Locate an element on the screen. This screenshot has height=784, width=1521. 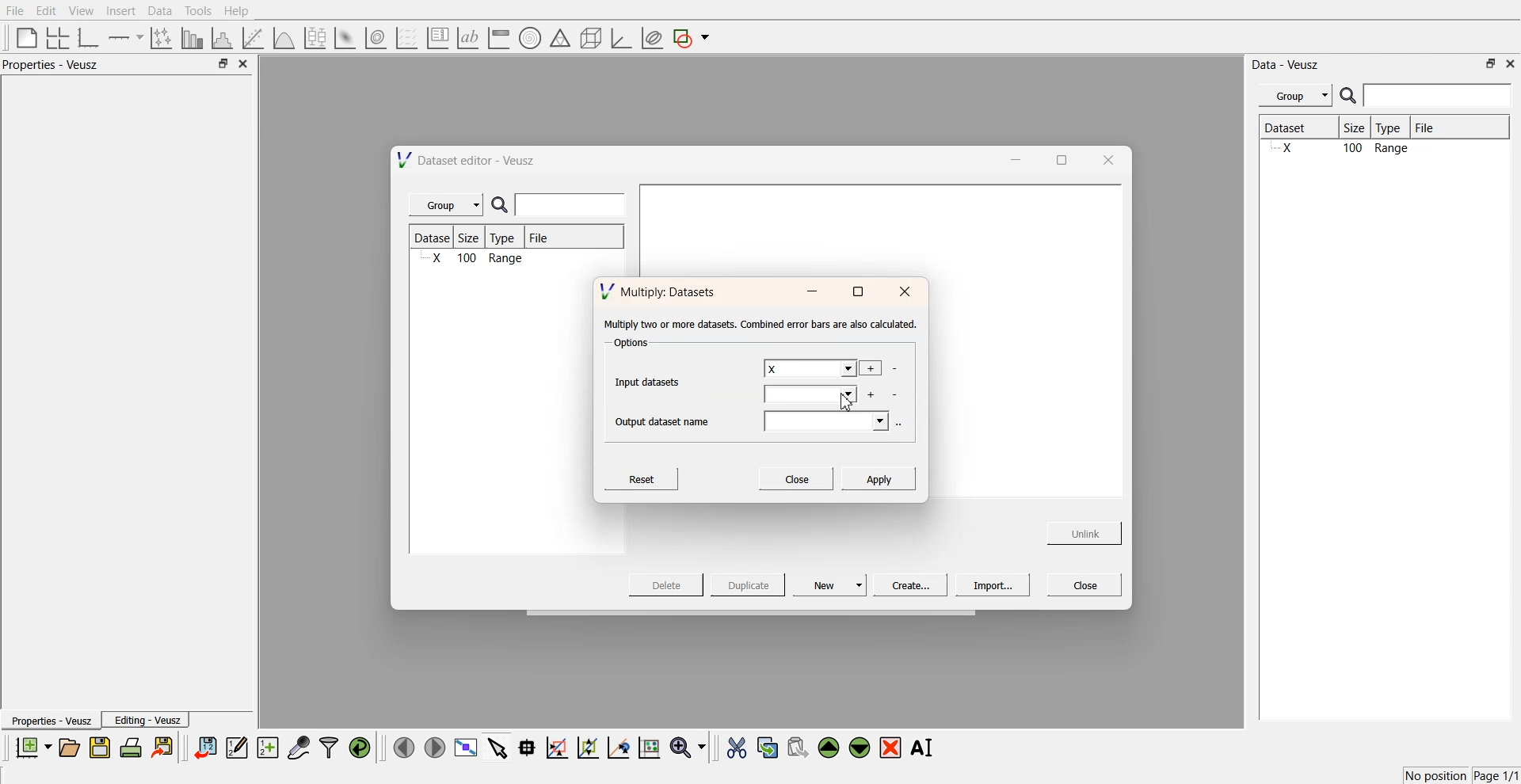
import data sets is located at coordinates (204, 748).